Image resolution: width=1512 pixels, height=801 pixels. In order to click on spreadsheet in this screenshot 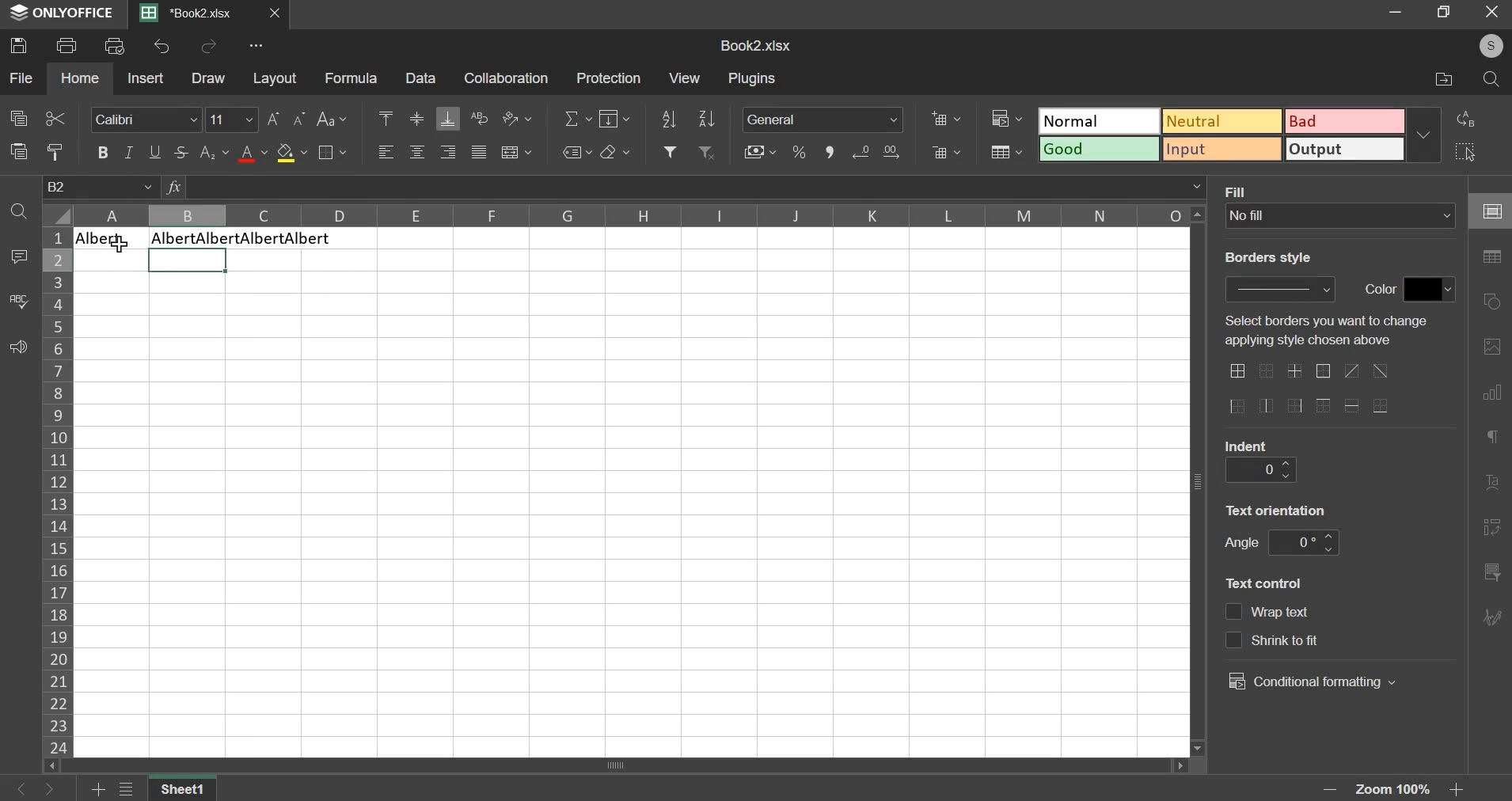, I will do `click(754, 44)`.